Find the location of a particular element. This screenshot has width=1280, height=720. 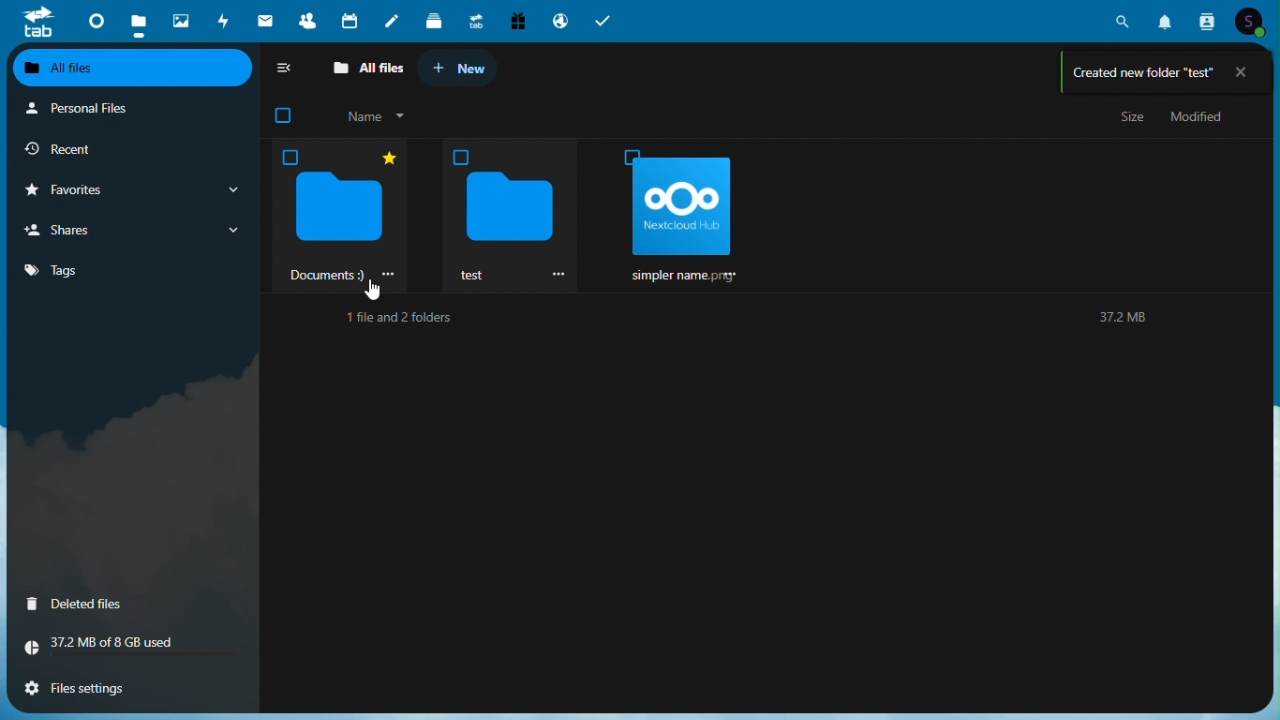

Account icon is located at coordinates (1255, 20).